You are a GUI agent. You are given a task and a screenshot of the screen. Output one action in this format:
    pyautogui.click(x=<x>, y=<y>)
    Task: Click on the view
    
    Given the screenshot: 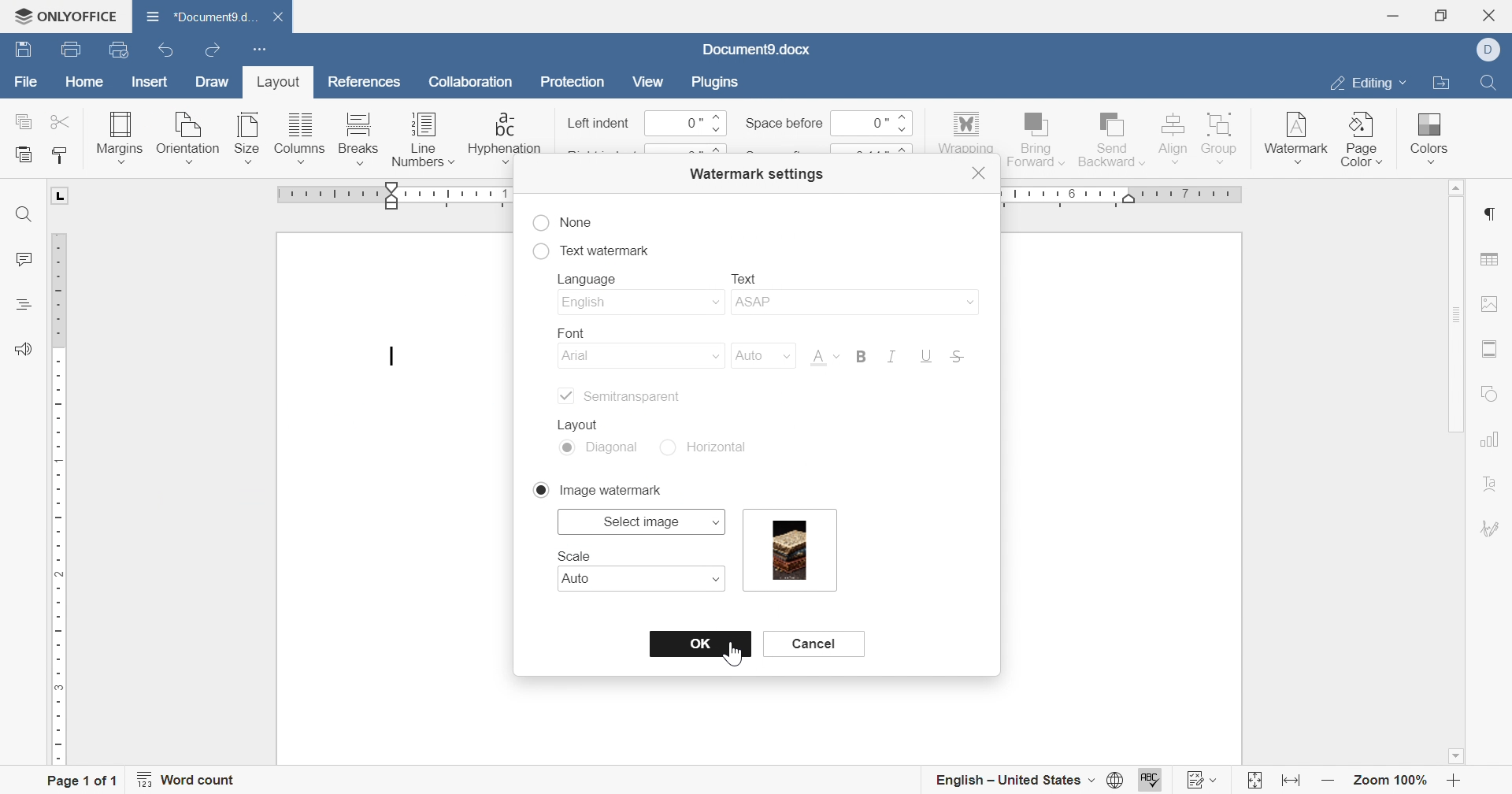 What is the action you would take?
    pyautogui.click(x=647, y=81)
    